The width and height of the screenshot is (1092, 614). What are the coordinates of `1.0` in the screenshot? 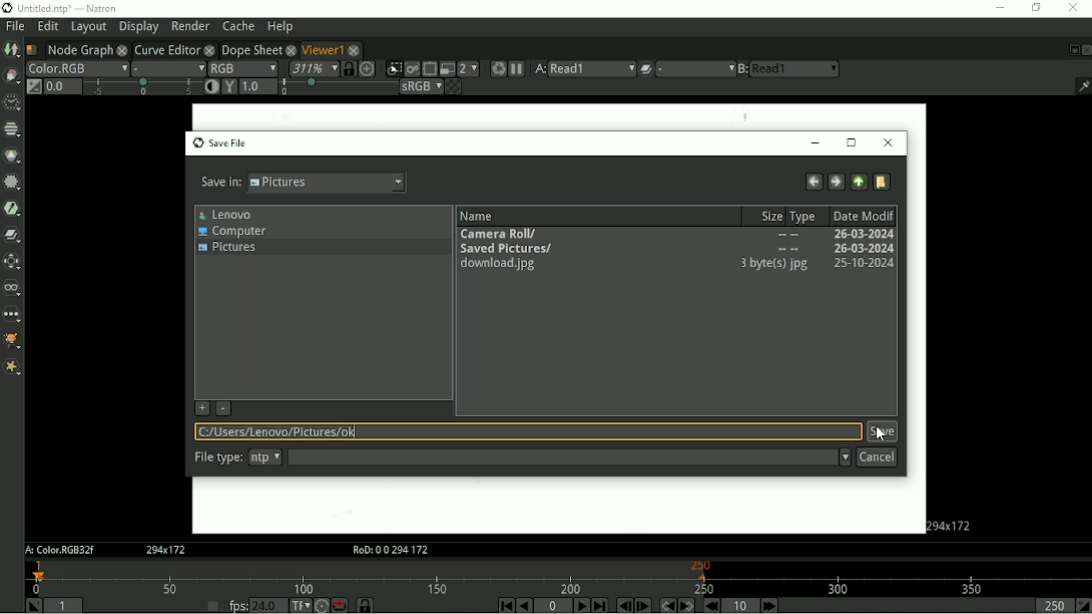 It's located at (258, 86).